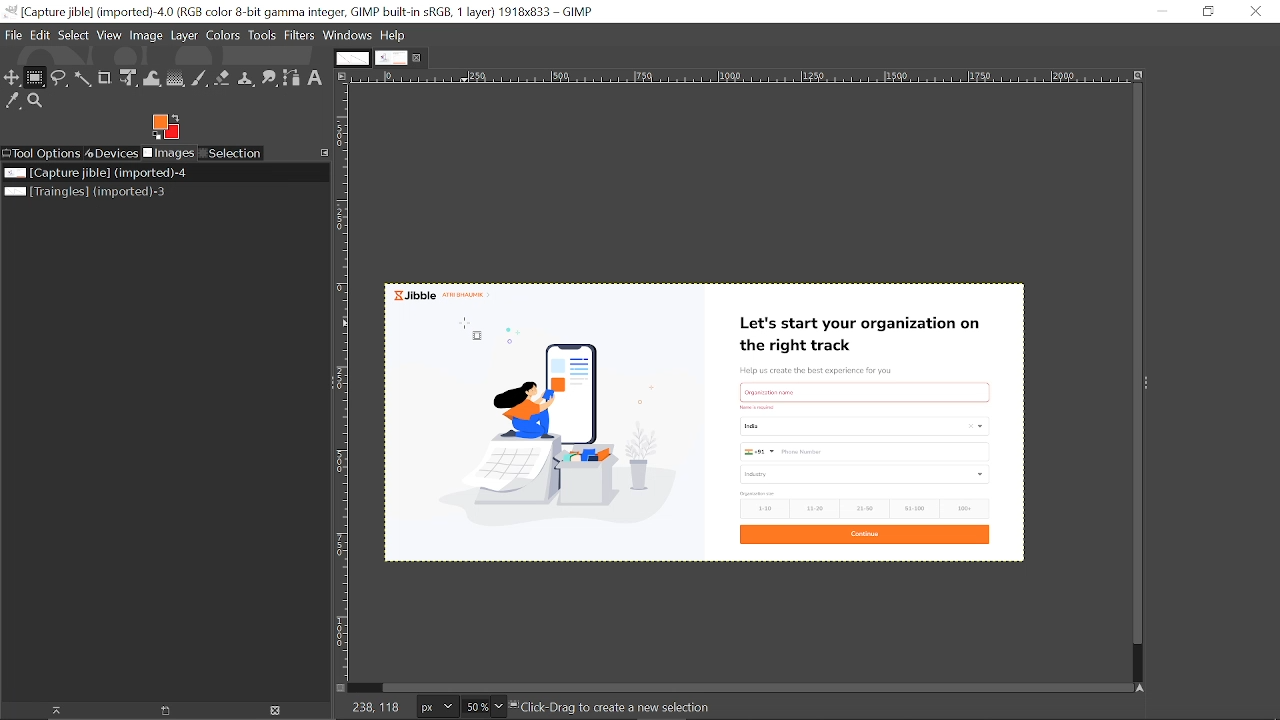 The image size is (1280, 720). I want to click on Eraser tool, so click(223, 77).